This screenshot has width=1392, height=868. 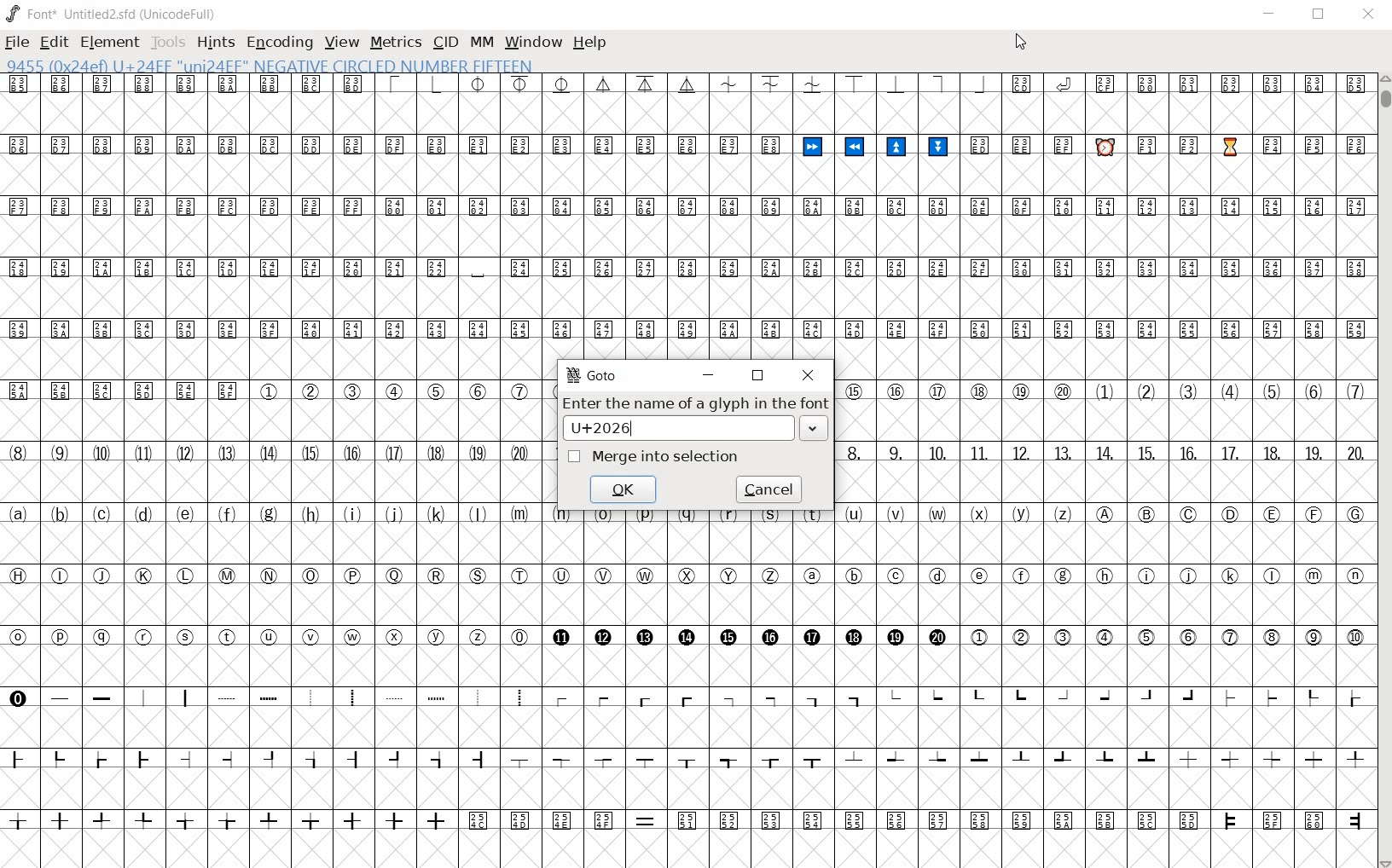 I want to click on Enter the name of a glyph in the font, so click(x=697, y=419).